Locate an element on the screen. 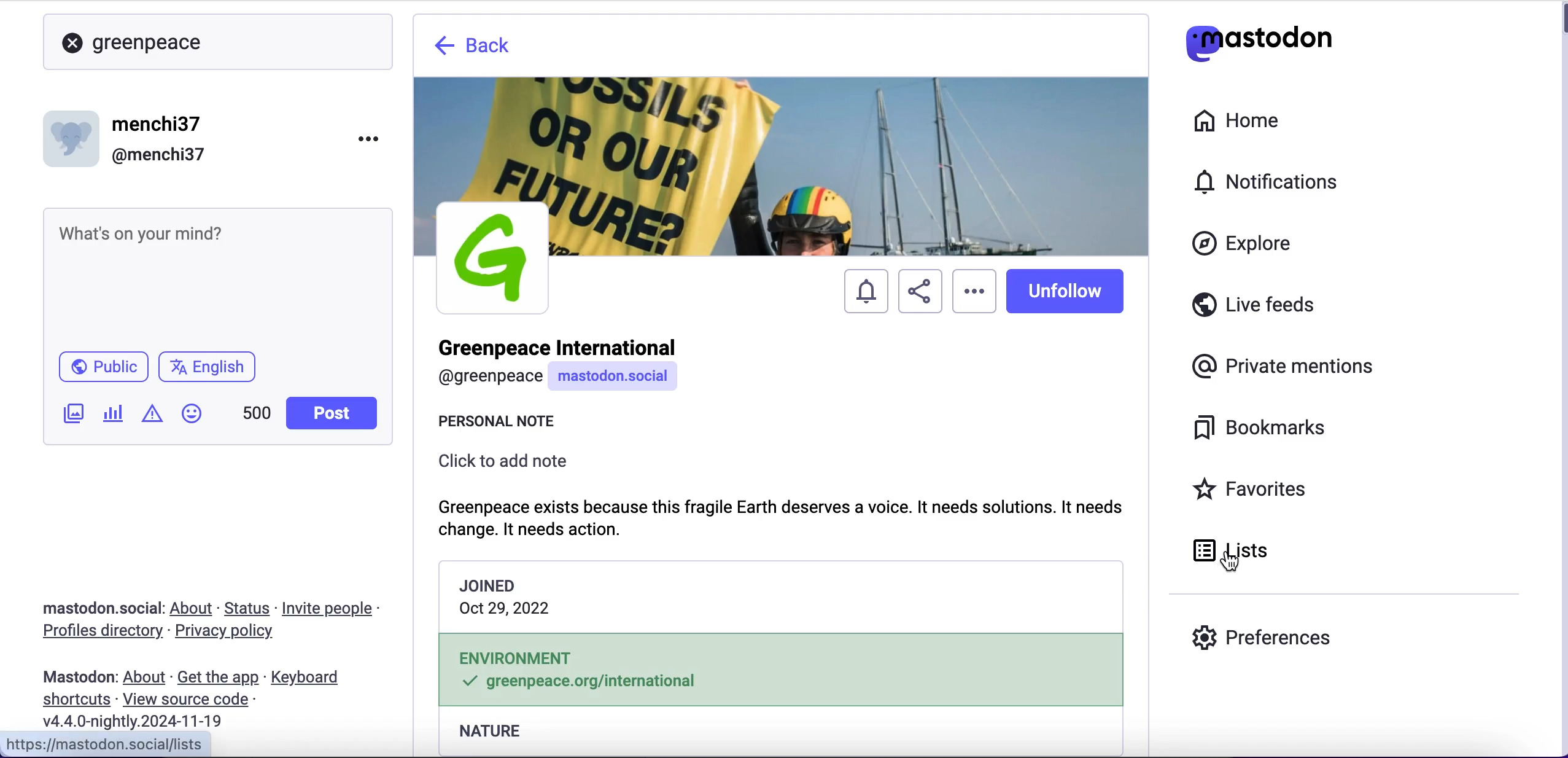  back is located at coordinates (475, 49).